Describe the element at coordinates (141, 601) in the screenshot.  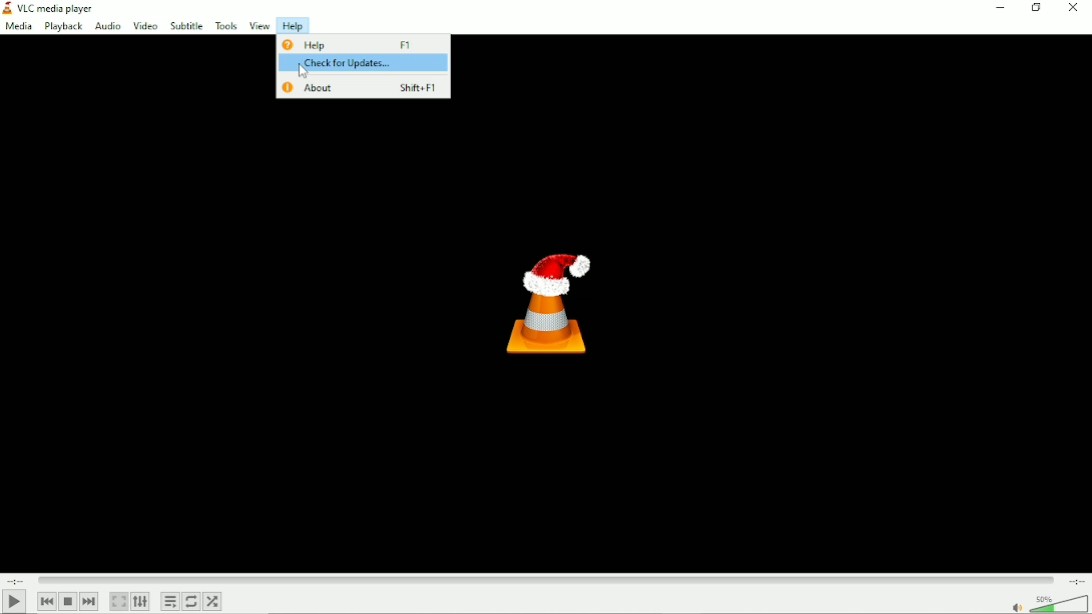
I see `Show extended settings` at that location.